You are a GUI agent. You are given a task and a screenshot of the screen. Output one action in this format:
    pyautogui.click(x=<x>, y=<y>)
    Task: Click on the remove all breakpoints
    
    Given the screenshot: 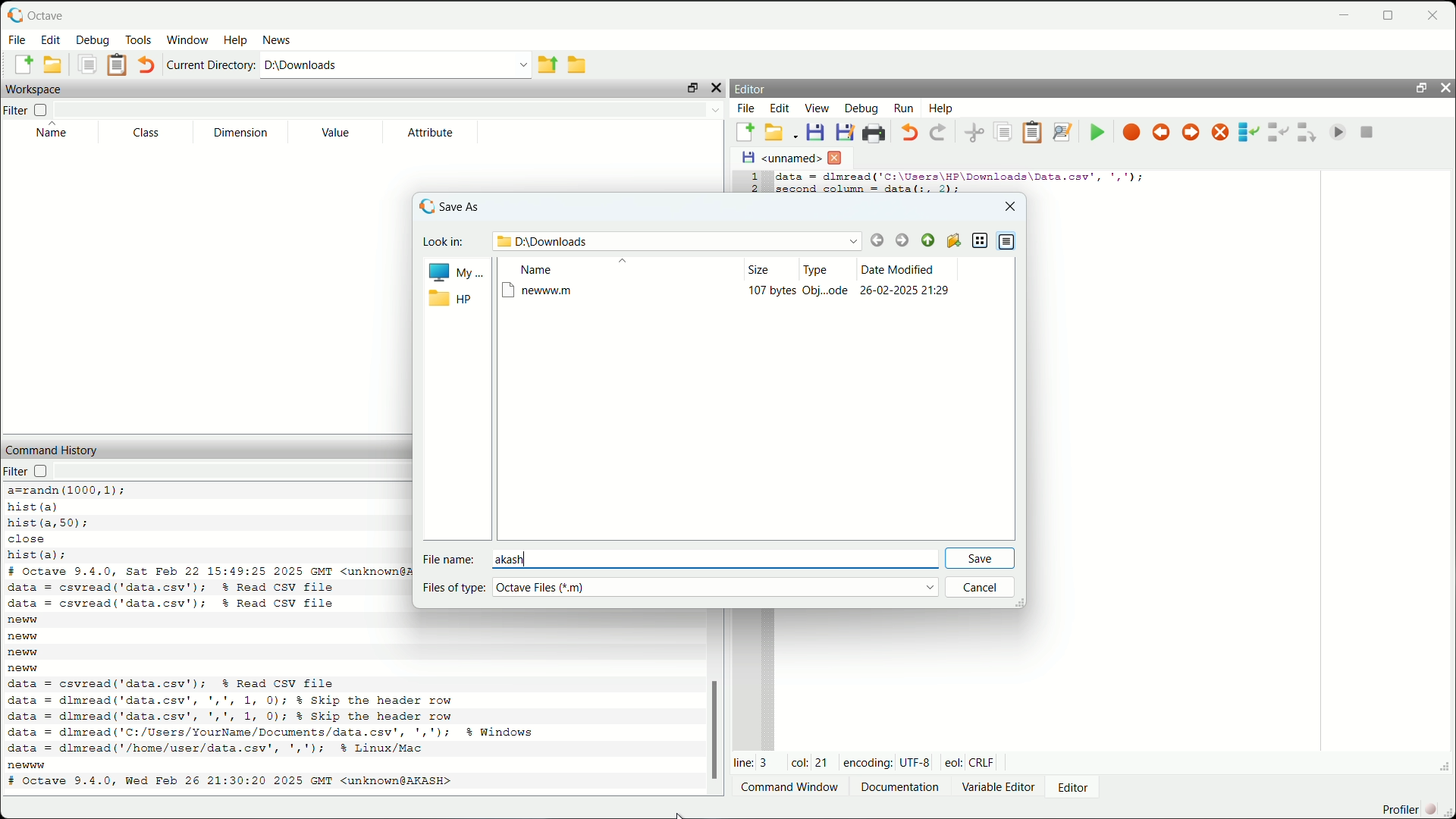 What is the action you would take?
    pyautogui.click(x=1219, y=135)
    